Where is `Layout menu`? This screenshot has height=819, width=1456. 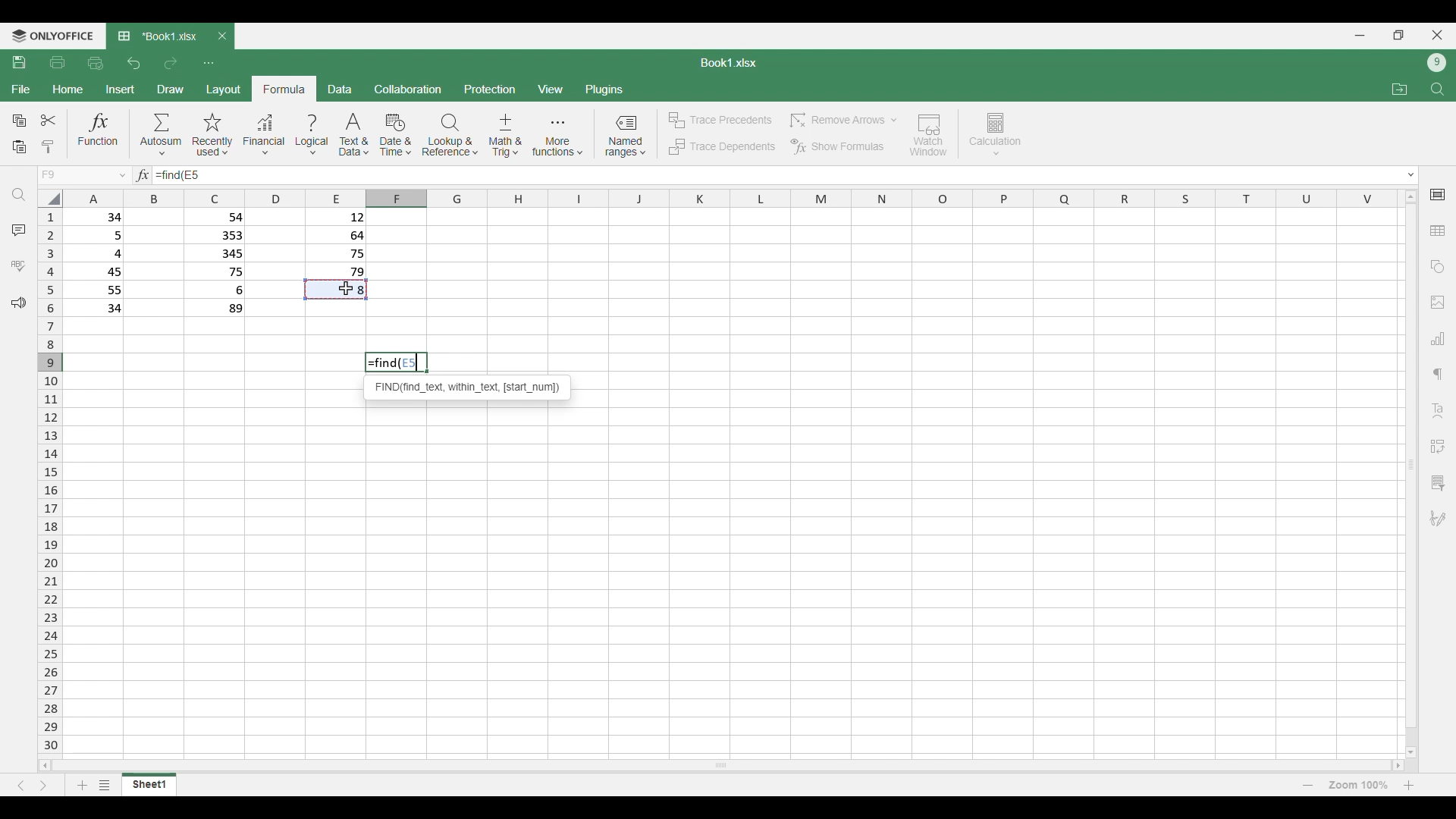 Layout menu is located at coordinates (224, 89).